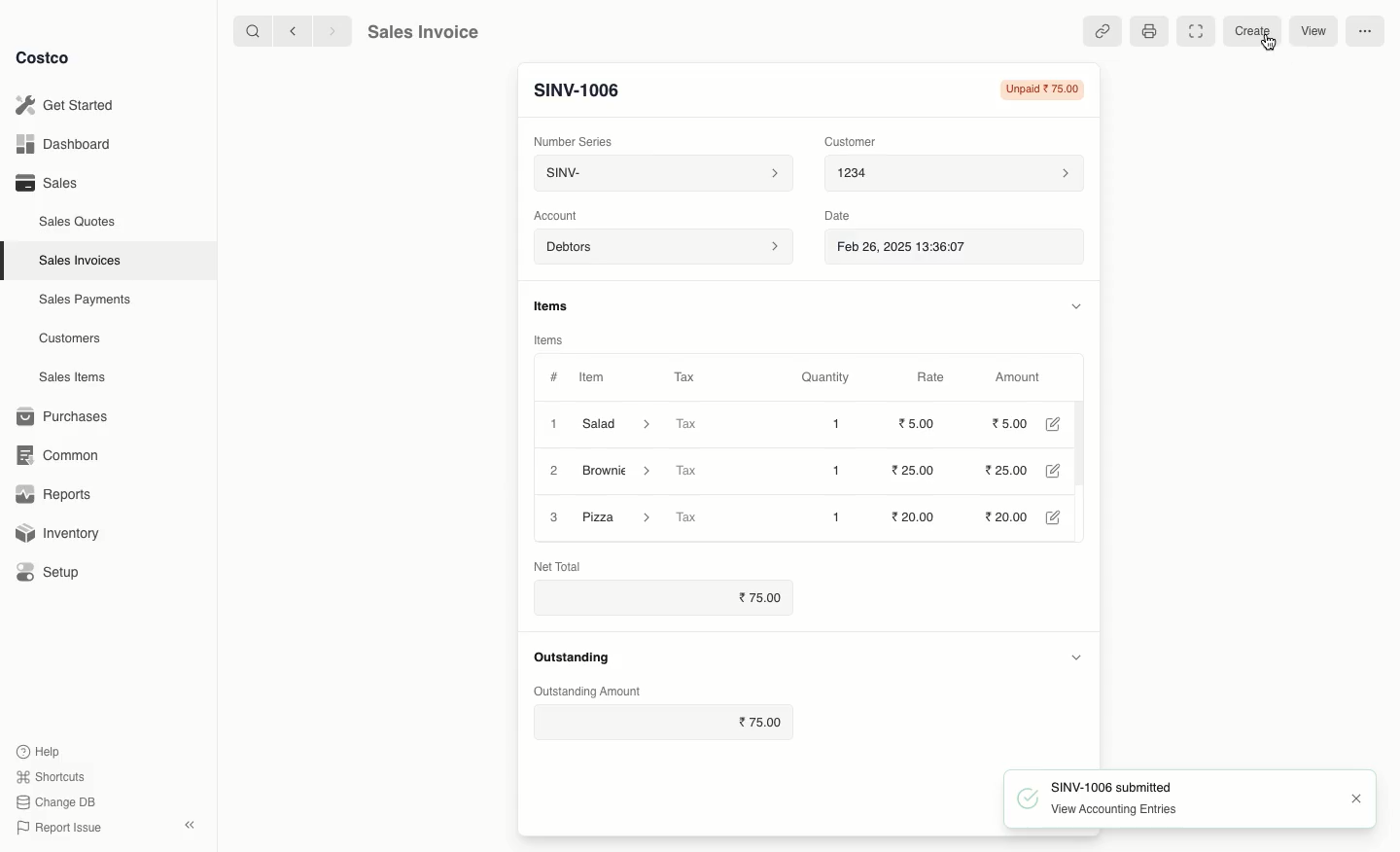 The image size is (1400, 852). I want to click on Hide, so click(1067, 305).